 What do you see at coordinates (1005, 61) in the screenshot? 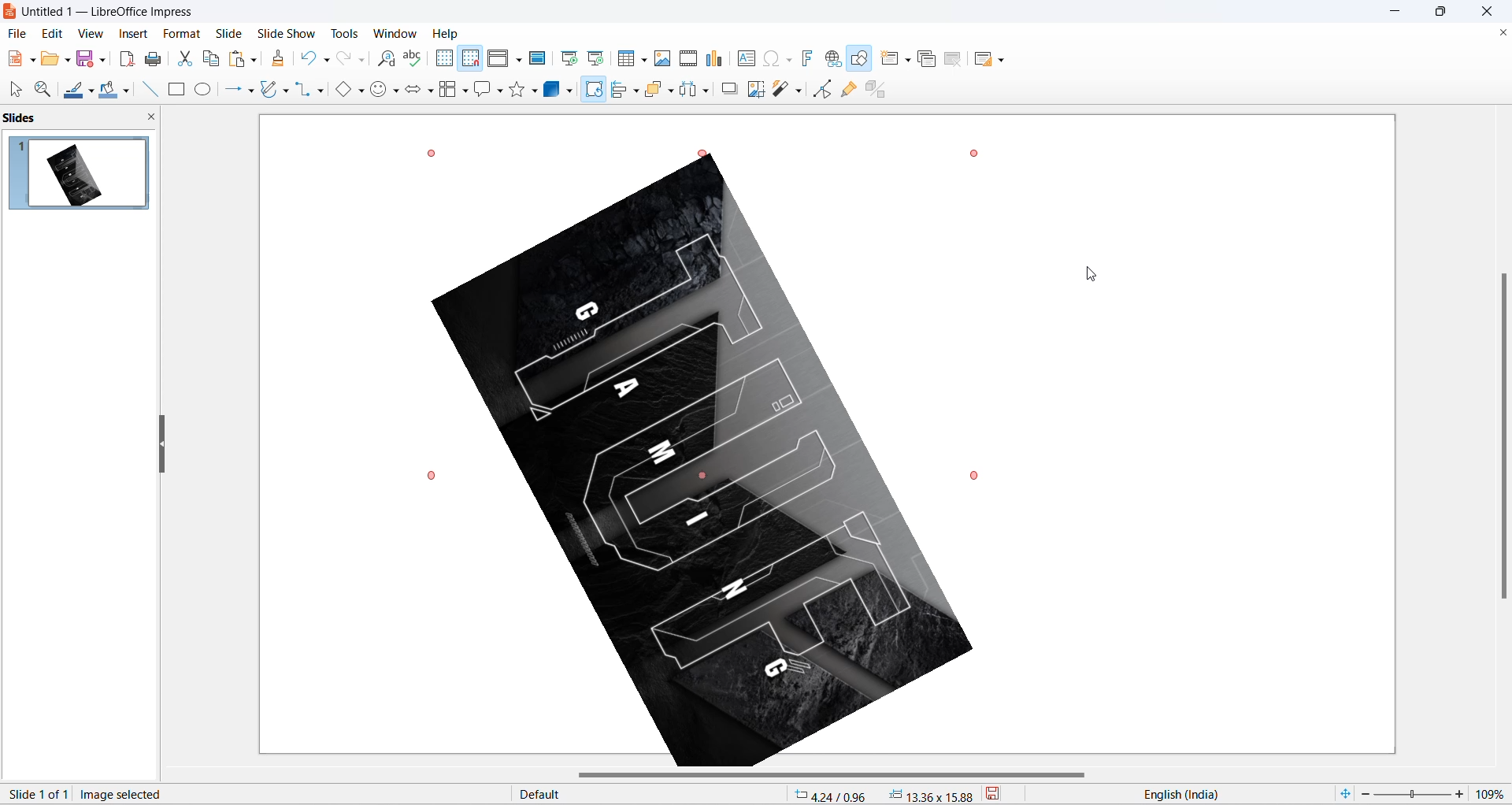
I see `Slide layout options` at bounding box center [1005, 61].